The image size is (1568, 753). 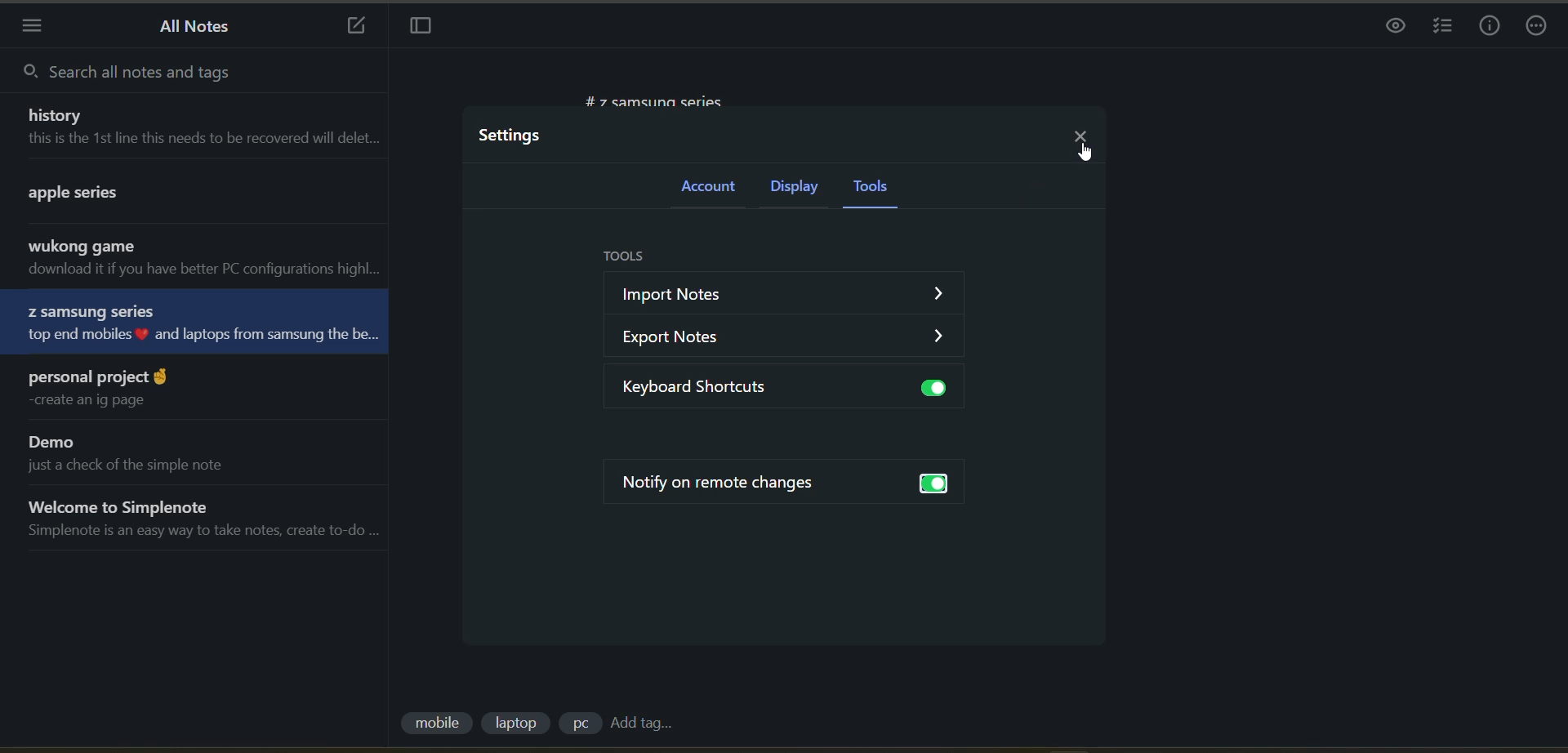 What do you see at coordinates (933, 483) in the screenshot?
I see `toggle off` at bounding box center [933, 483].